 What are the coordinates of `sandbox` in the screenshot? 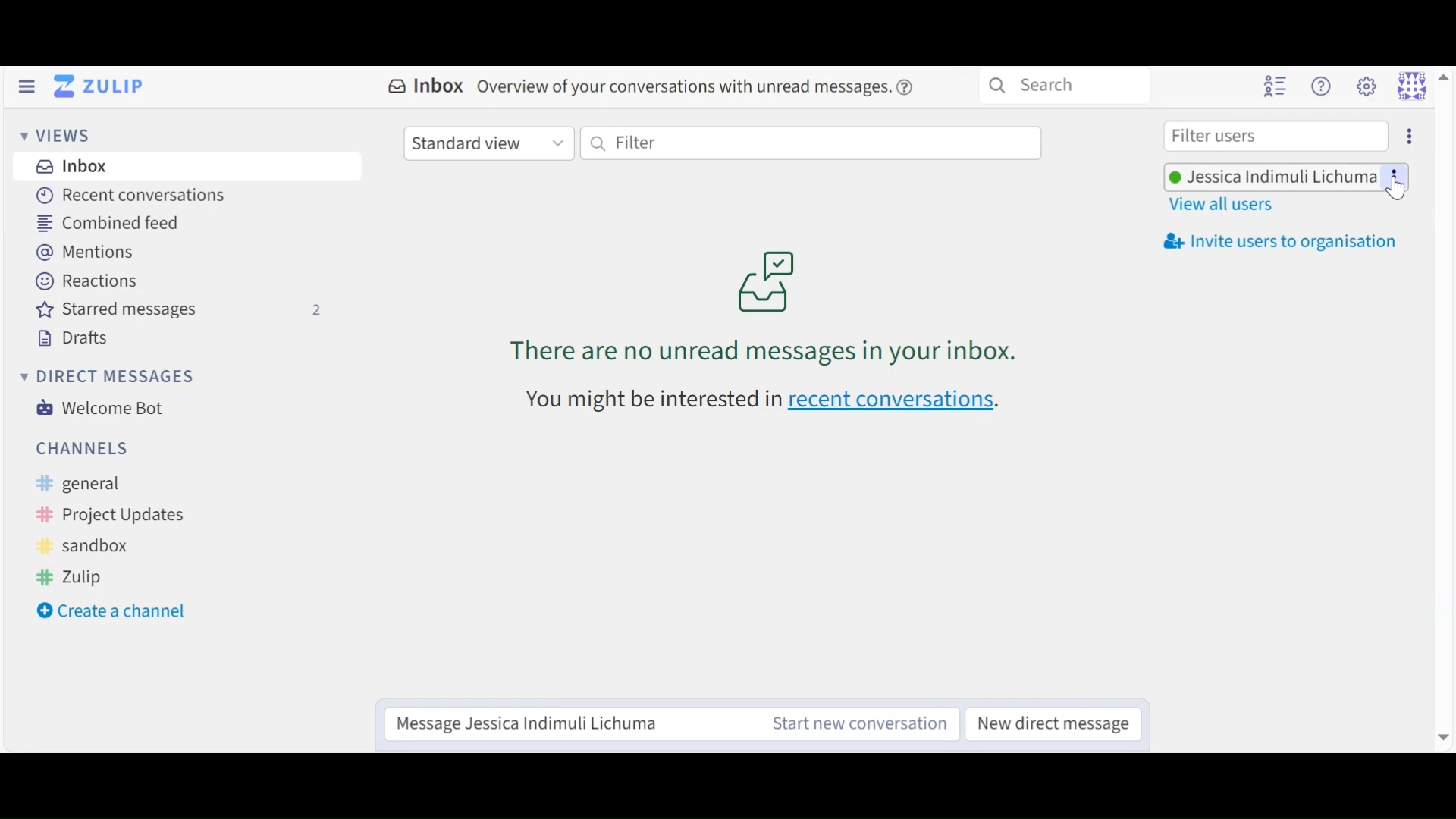 It's located at (87, 547).